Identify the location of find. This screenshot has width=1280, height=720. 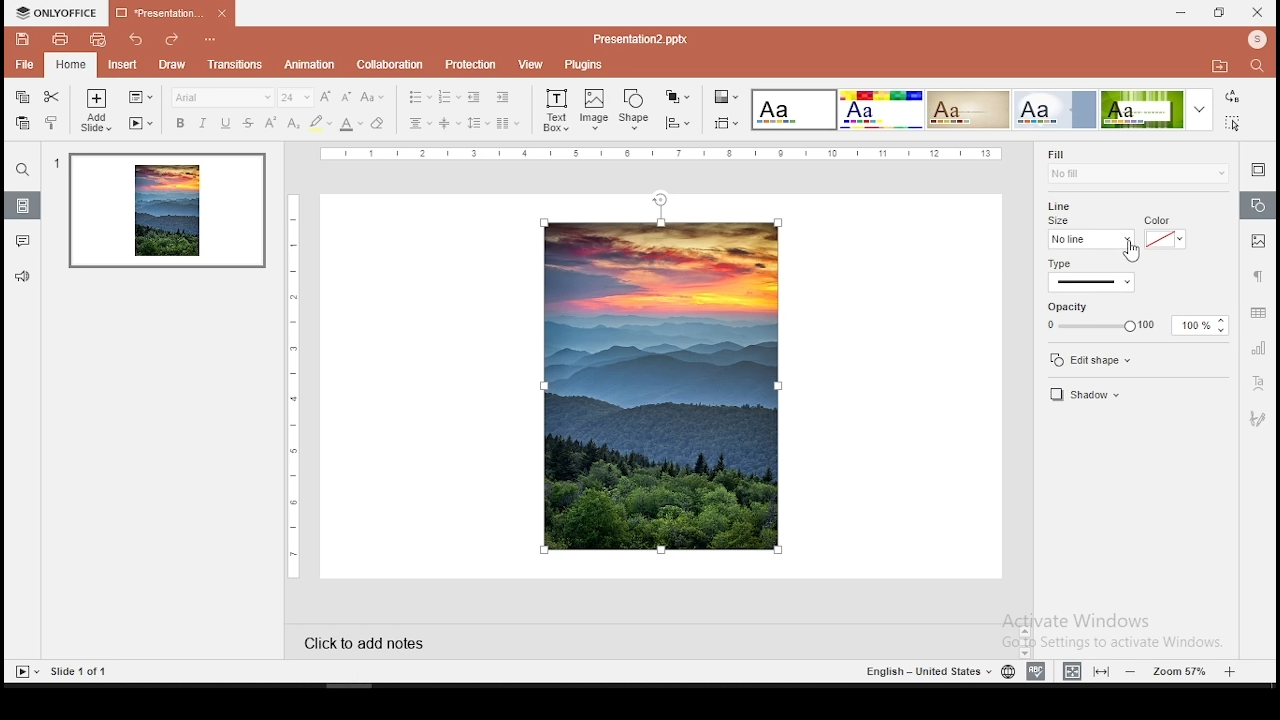
(24, 171).